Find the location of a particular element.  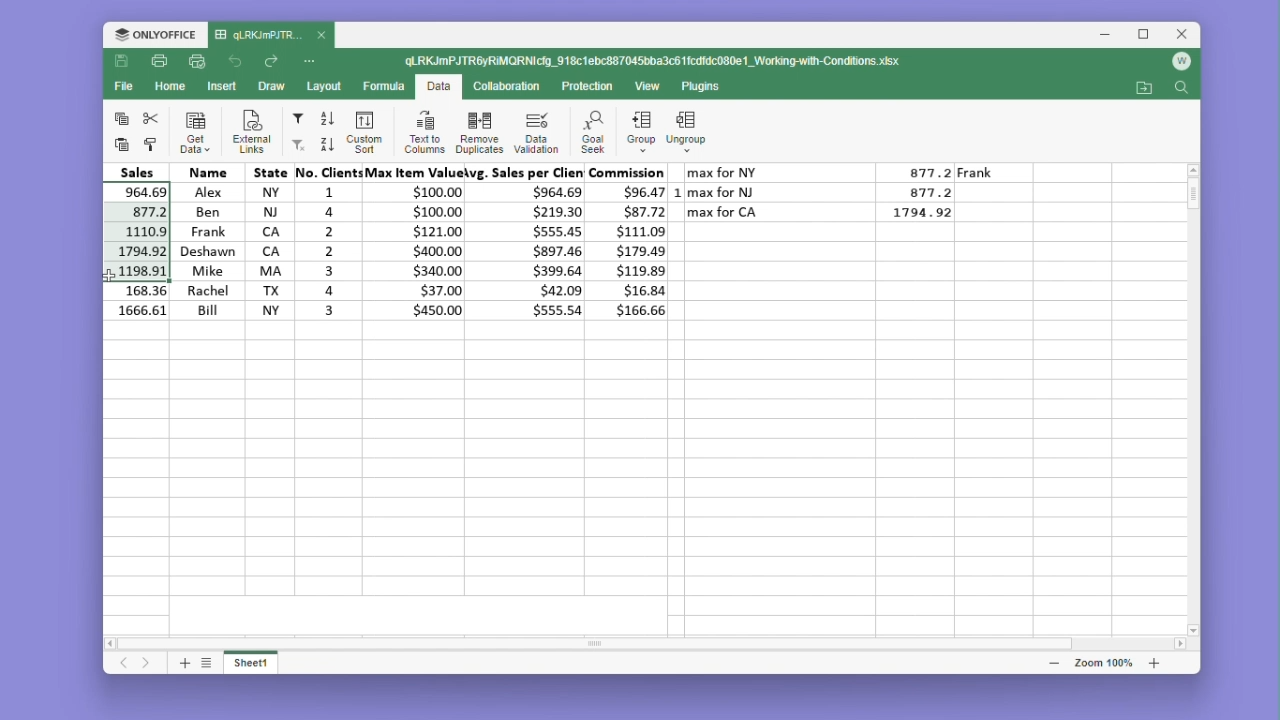

Group is located at coordinates (640, 132).